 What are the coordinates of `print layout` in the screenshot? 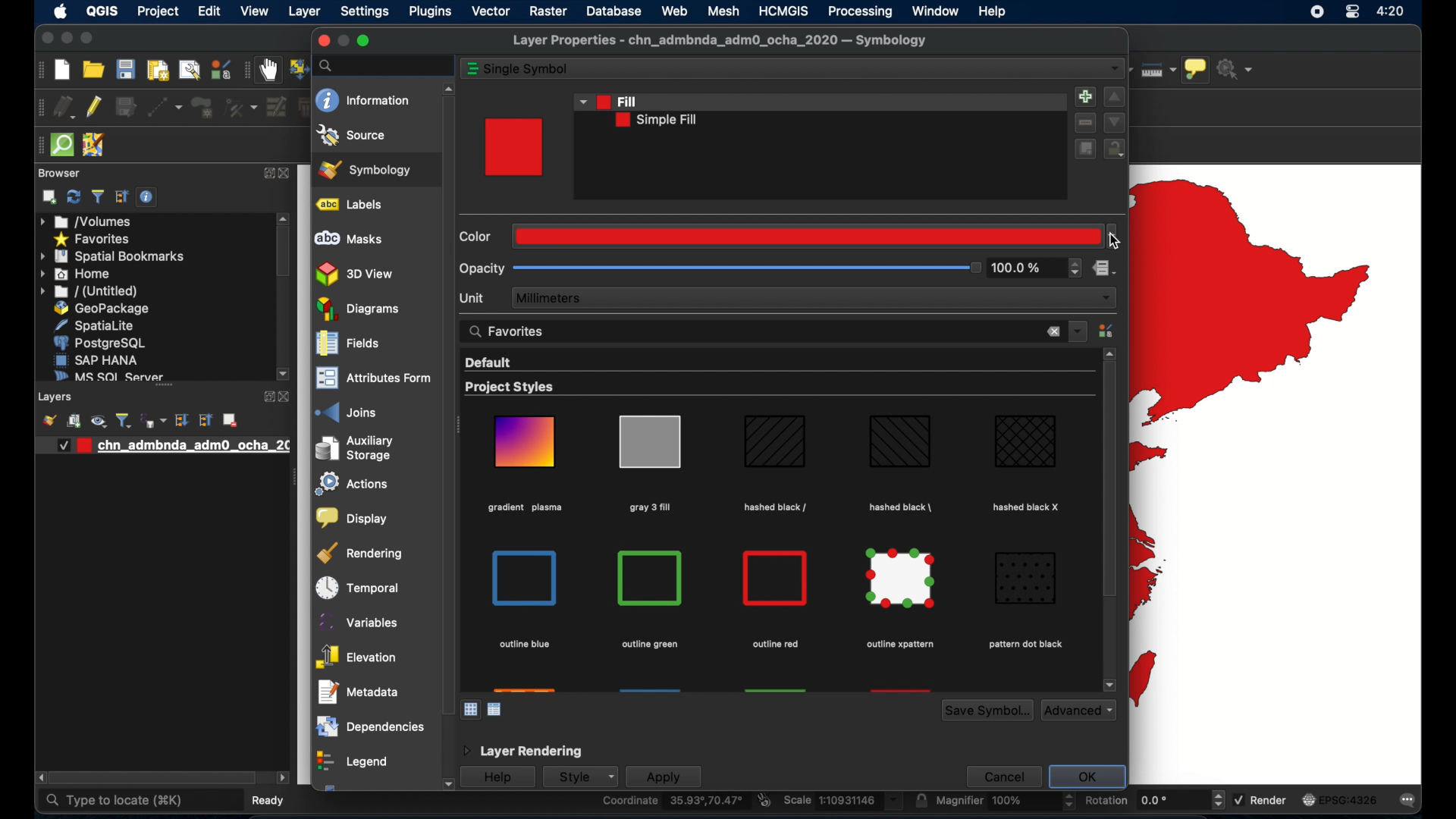 It's located at (156, 71).